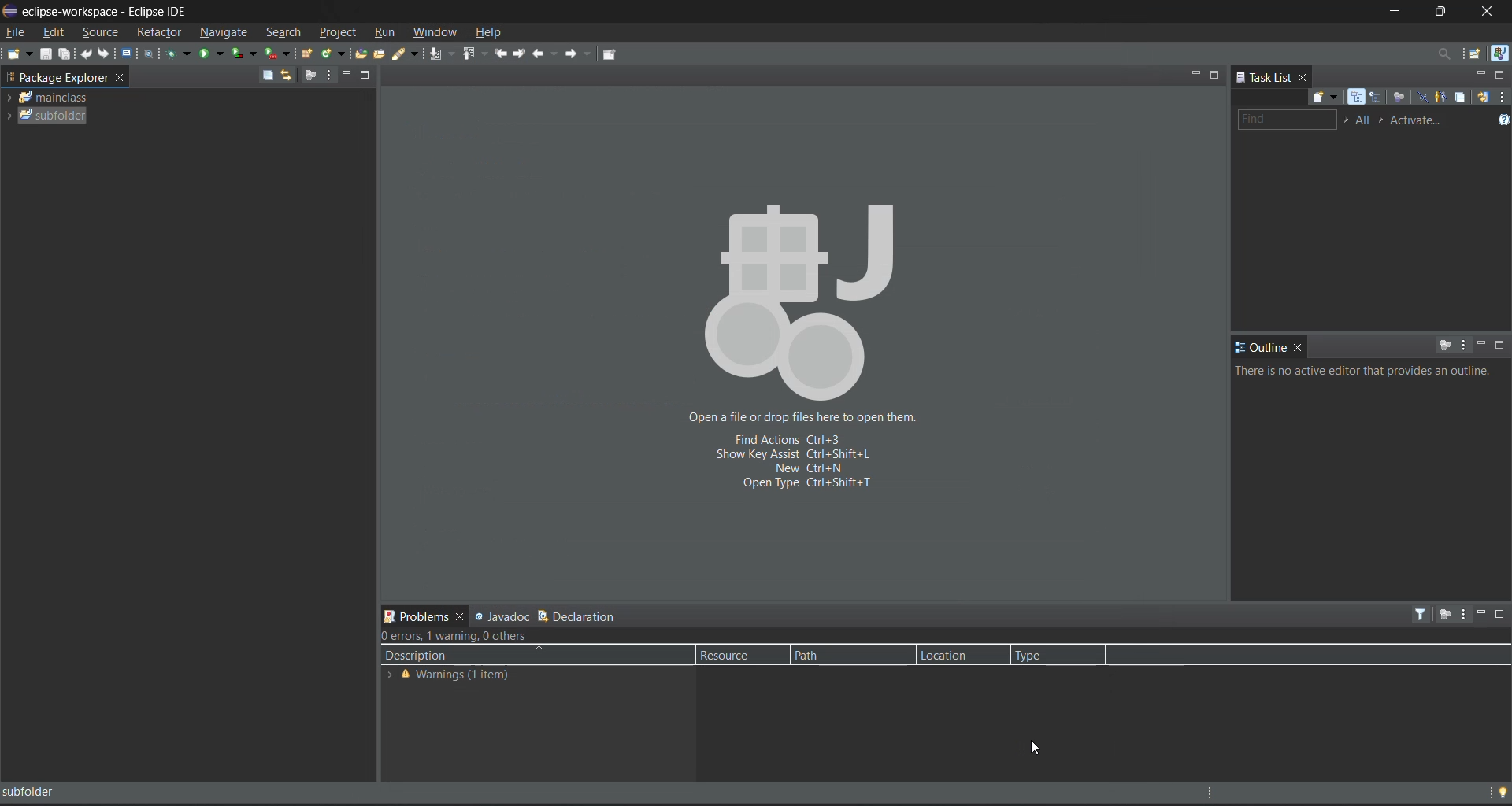 This screenshot has height=806, width=1512. I want to click on next annotation, so click(442, 53).